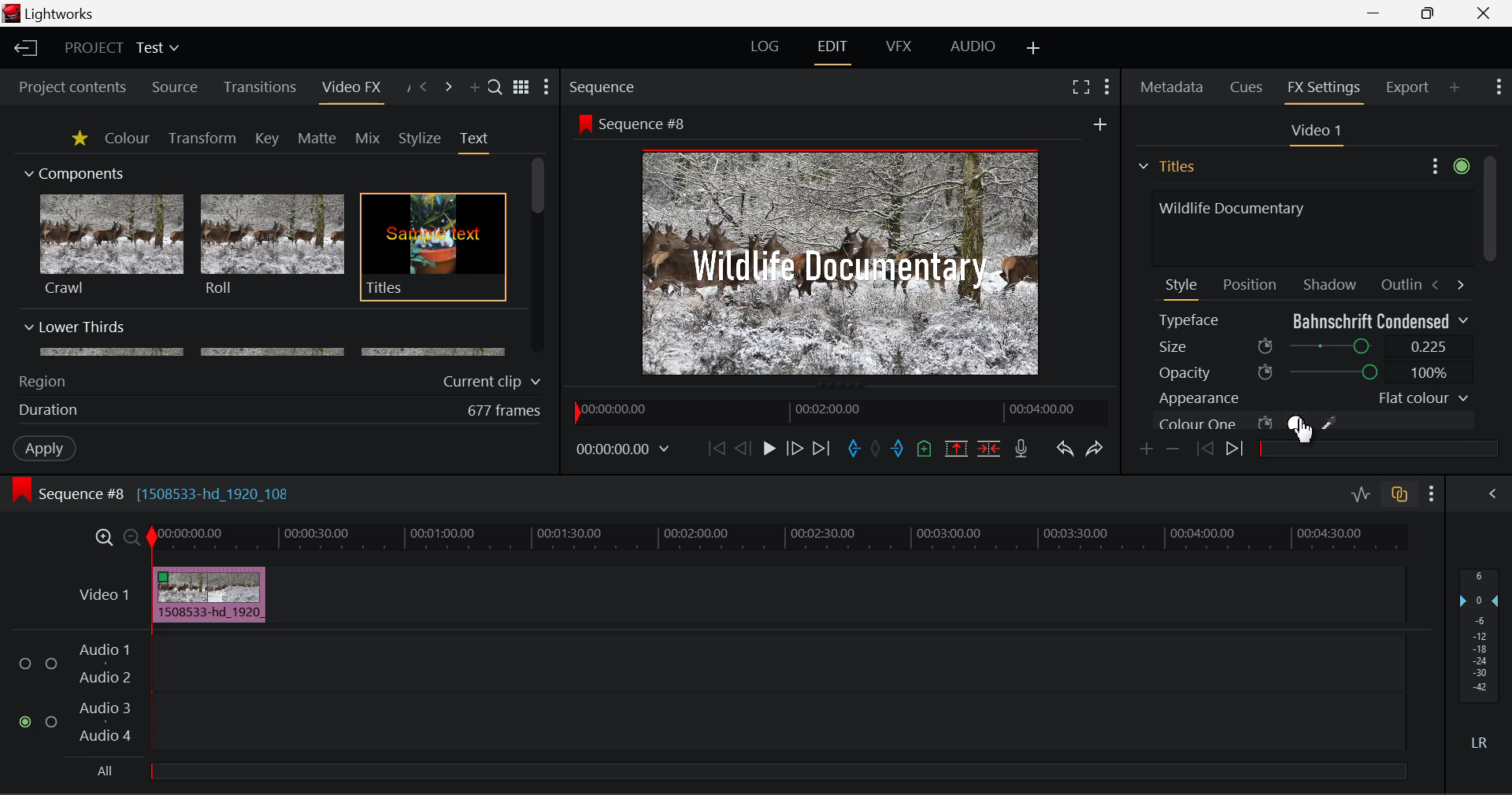 The image size is (1512, 795). Describe the element at coordinates (926, 450) in the screenshot. I see `Mark Cue` at that location.